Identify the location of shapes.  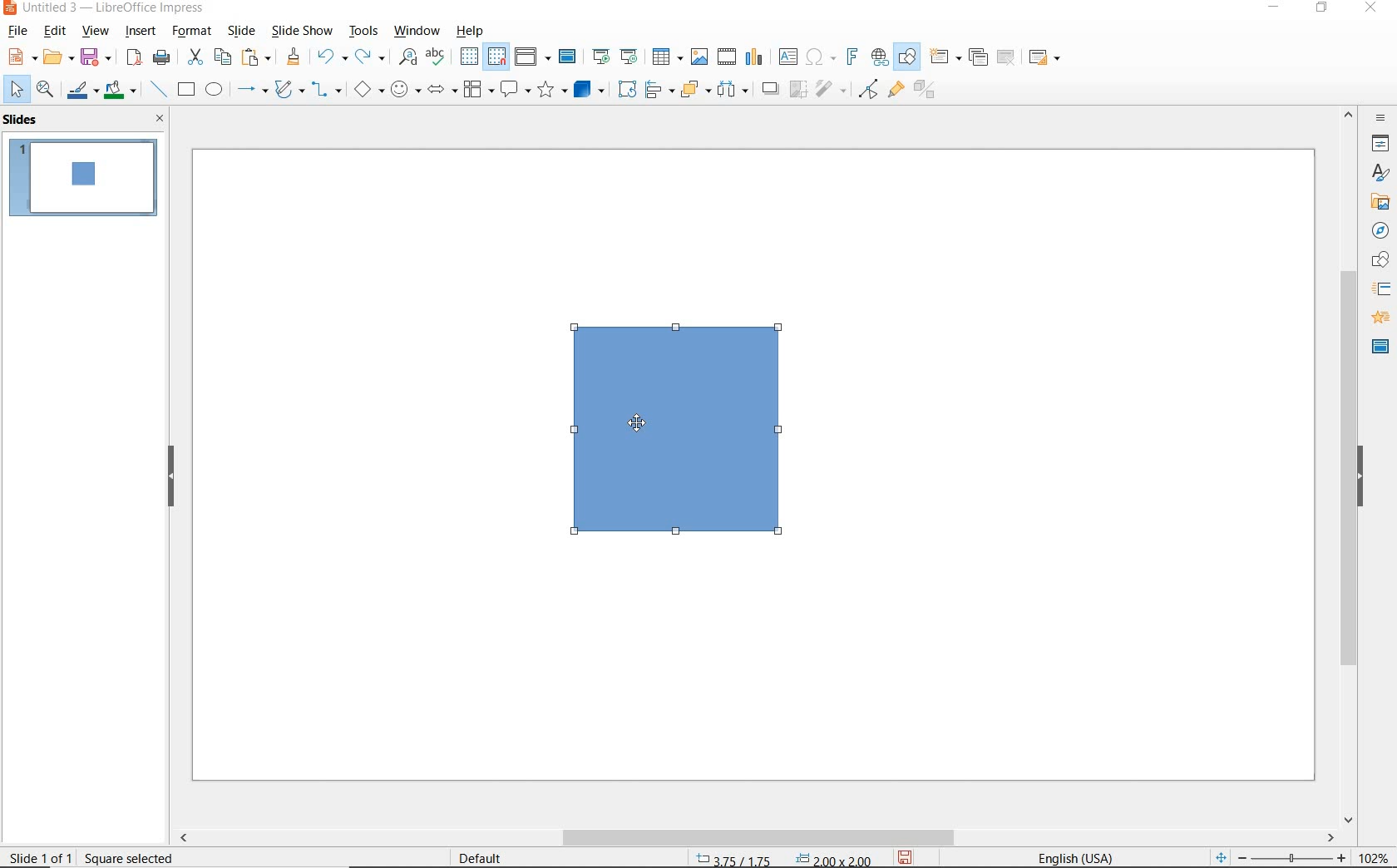
(1377, 260).